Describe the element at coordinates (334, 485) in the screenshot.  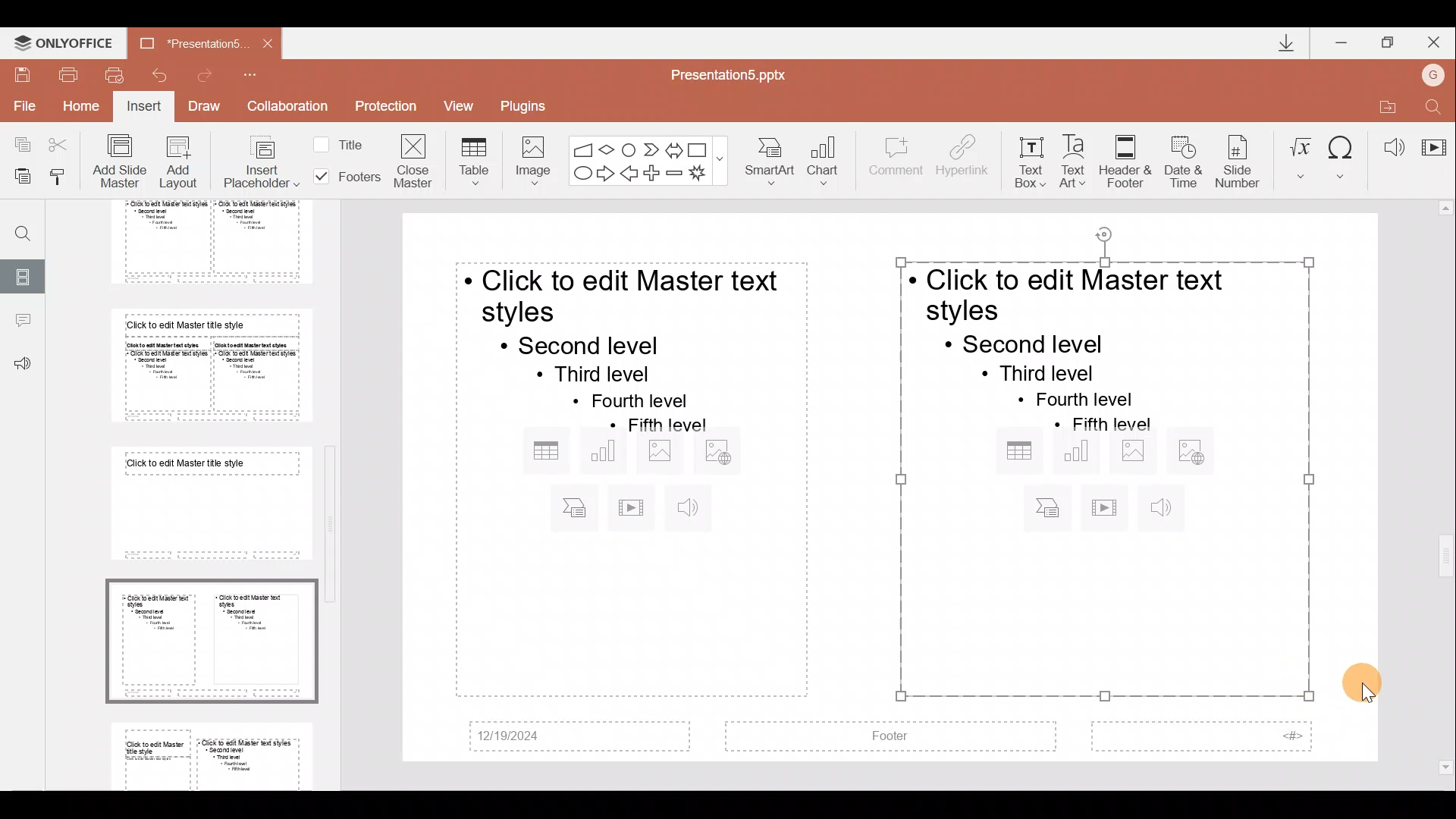
I see `Scroll bar` at that location.